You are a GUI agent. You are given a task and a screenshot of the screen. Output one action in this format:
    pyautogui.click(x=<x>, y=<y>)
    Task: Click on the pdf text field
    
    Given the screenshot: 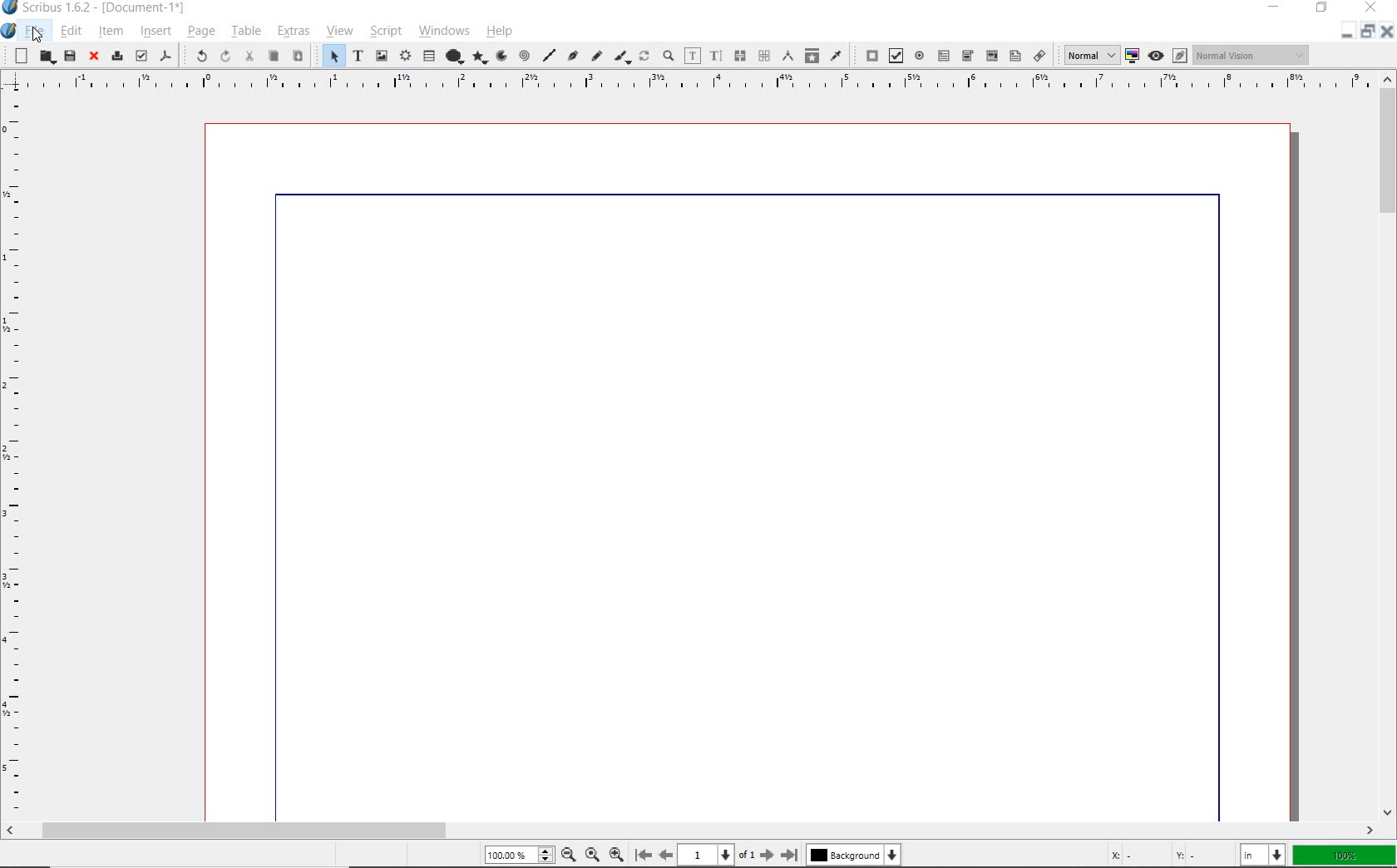 What is the action you would take?
    pyautogui.click(x=944, y=55)
    